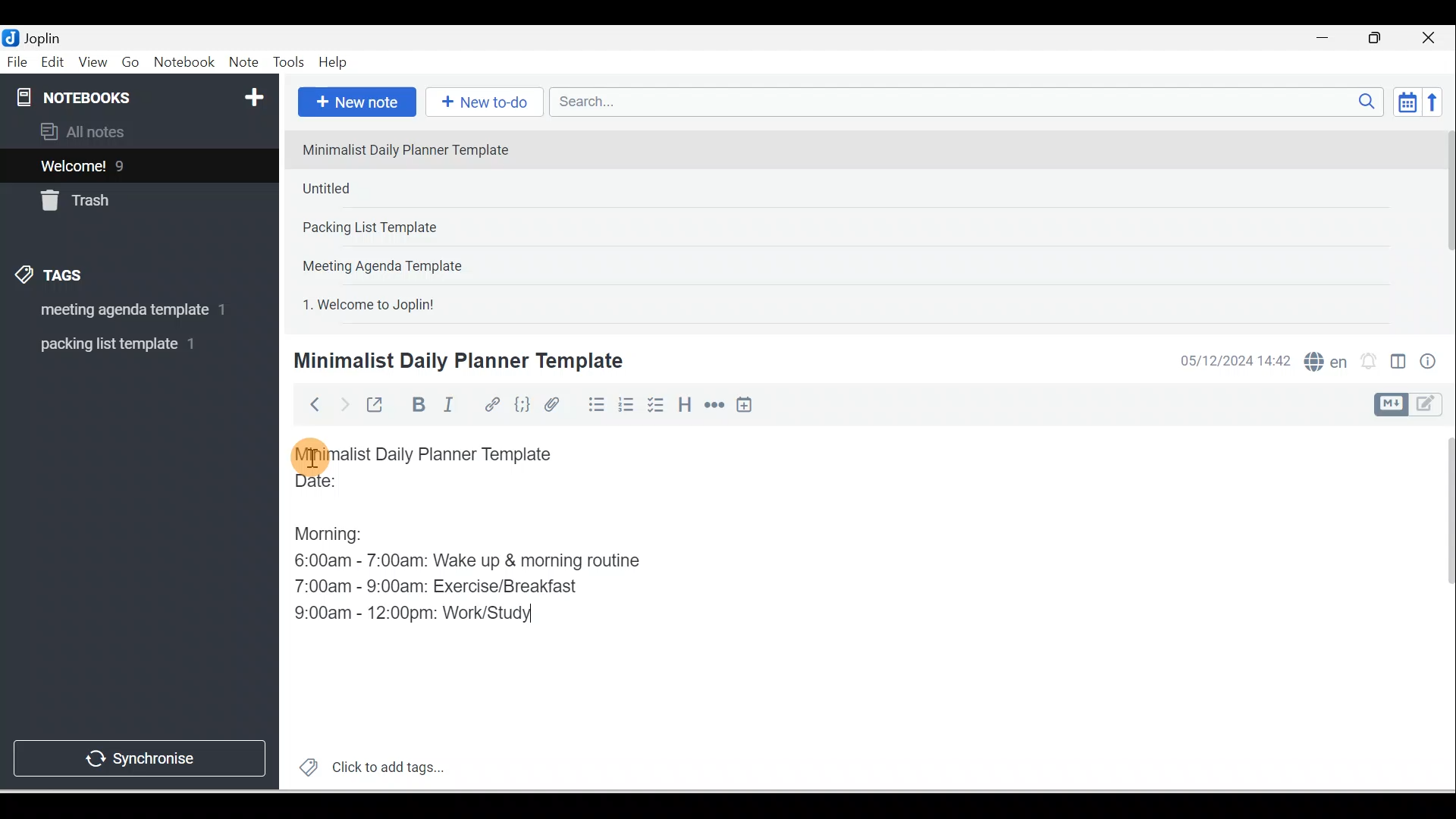  I want to click on View, so click(93, 63).